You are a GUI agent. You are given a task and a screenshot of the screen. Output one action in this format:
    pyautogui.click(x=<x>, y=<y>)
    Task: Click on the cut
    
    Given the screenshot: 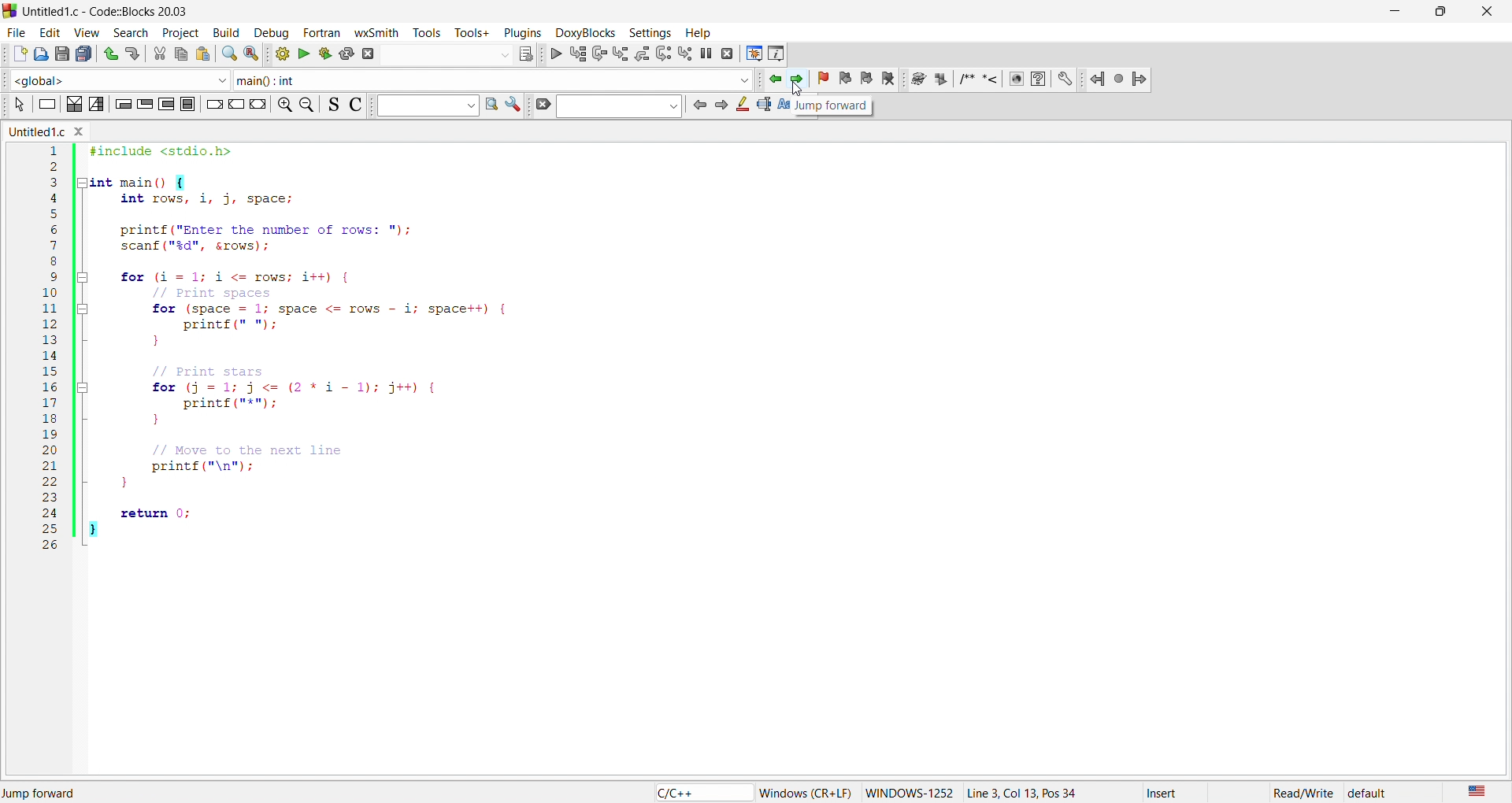 What is the action you would take?
    pyautogui.click(x=157, y=54)
    